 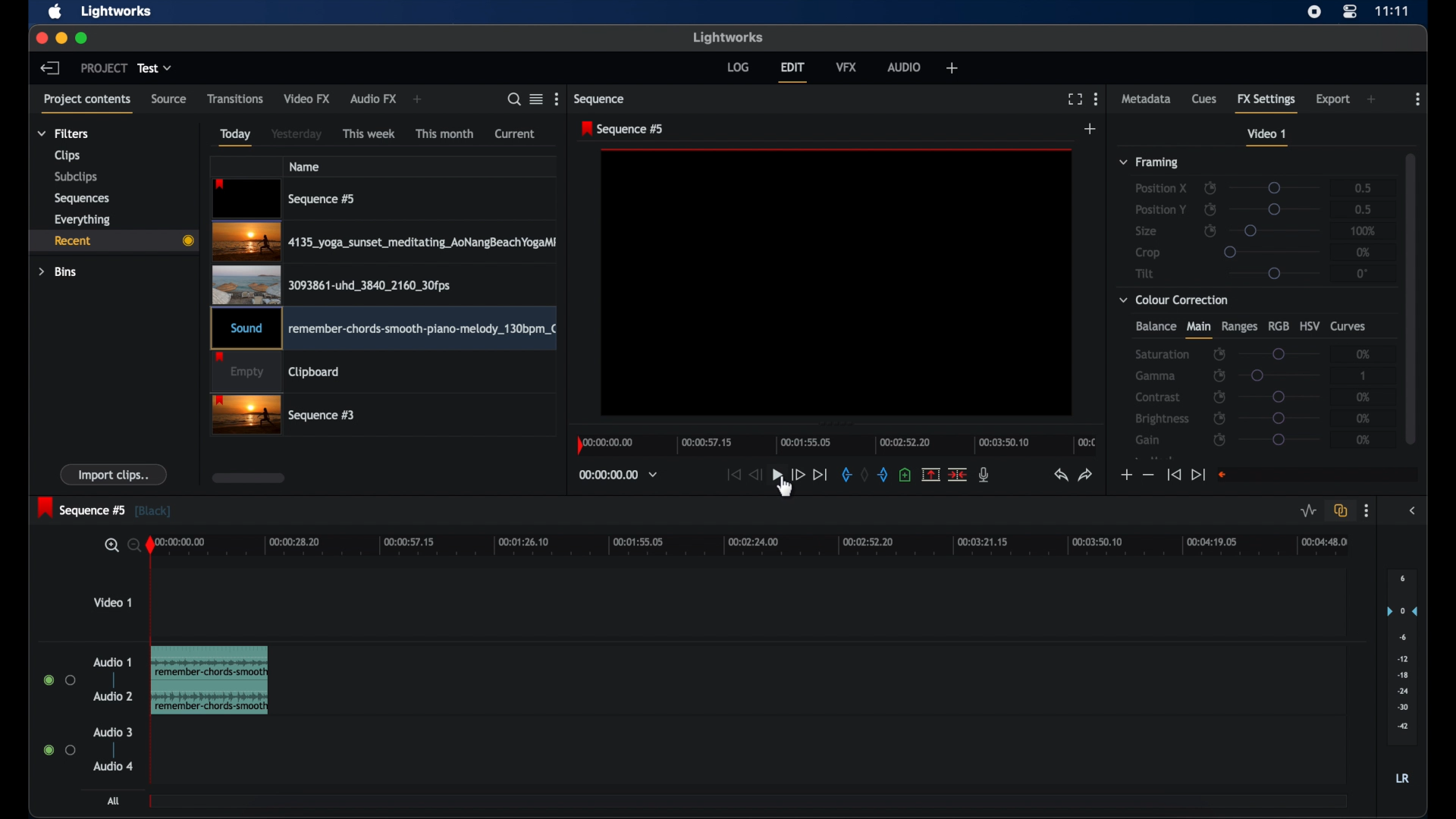 What do you see at coordinates (836, 446) in the screenshot?
I see `timeline ` at bounding box center [836, 446].